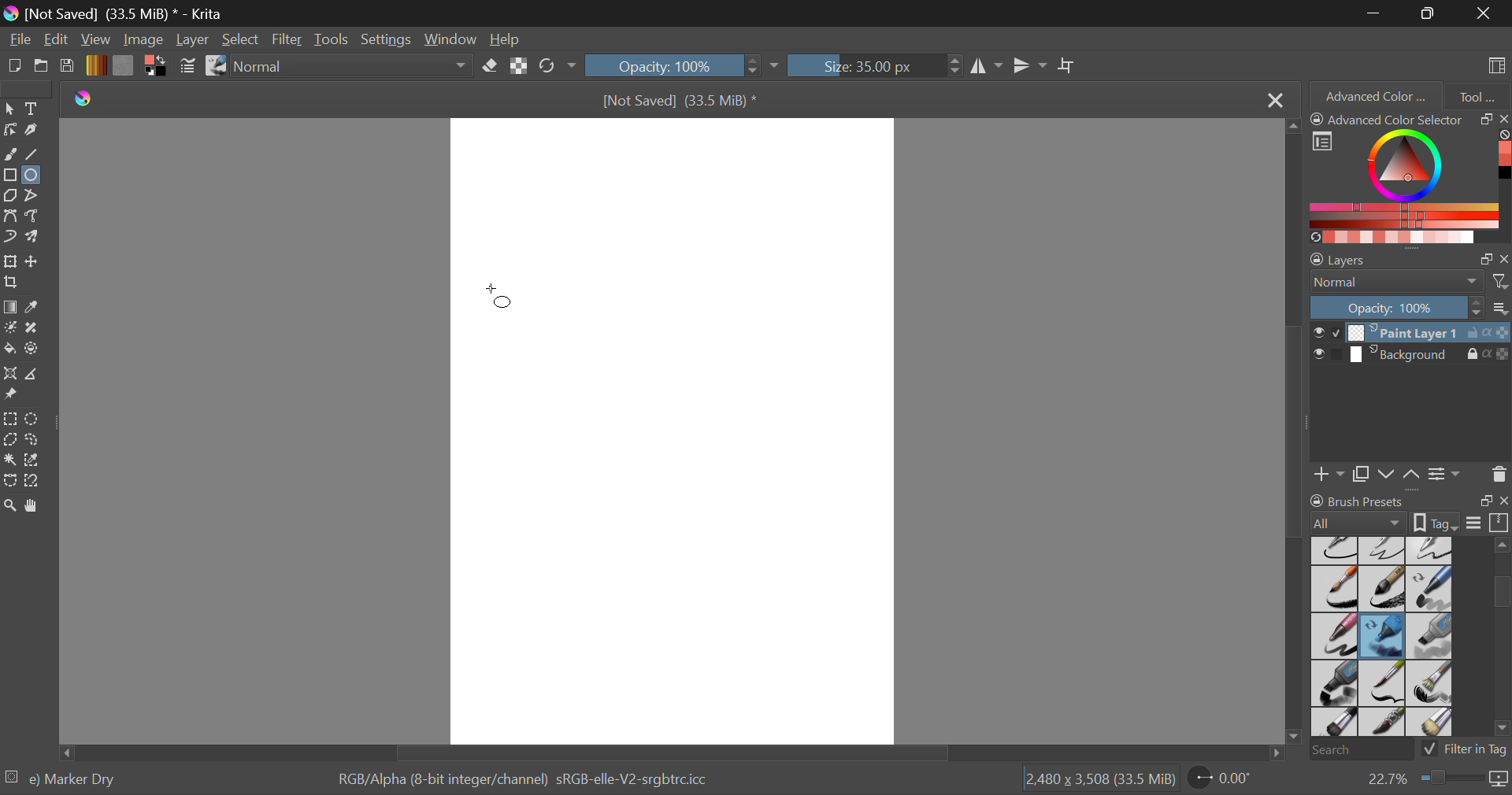 The image size is (1512, 795). Describe the element at coordinates (1228, 778) in the screenshot. I see `Sheet Rotation` at that location.